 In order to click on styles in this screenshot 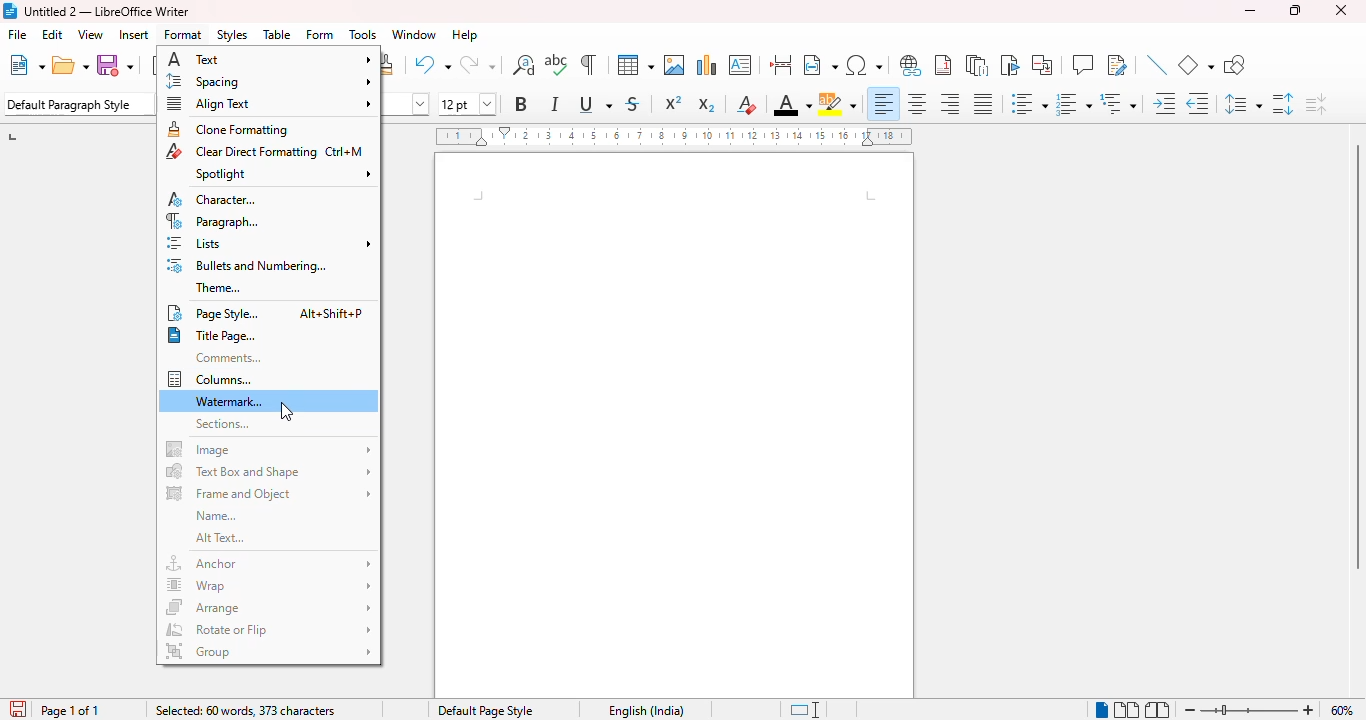, I will do `click(232, 34)`.